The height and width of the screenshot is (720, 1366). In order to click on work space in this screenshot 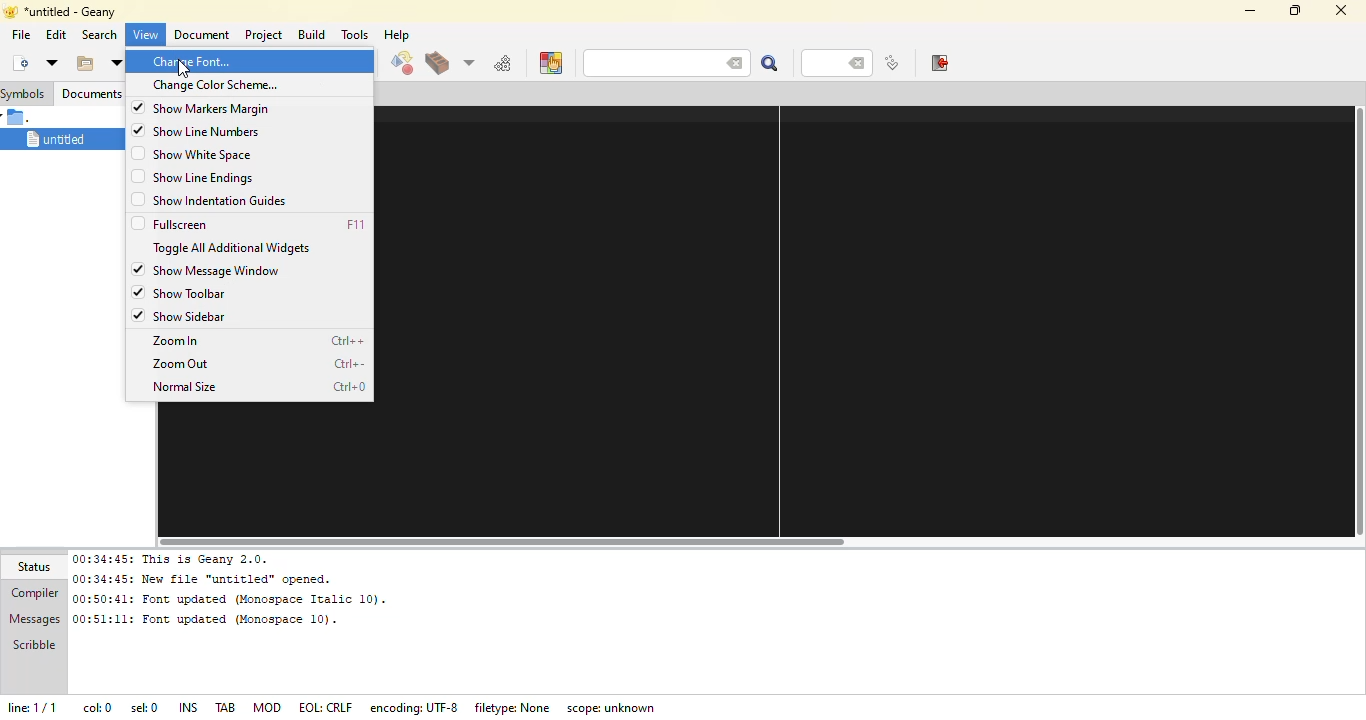, I will do `click(849, 318)`.